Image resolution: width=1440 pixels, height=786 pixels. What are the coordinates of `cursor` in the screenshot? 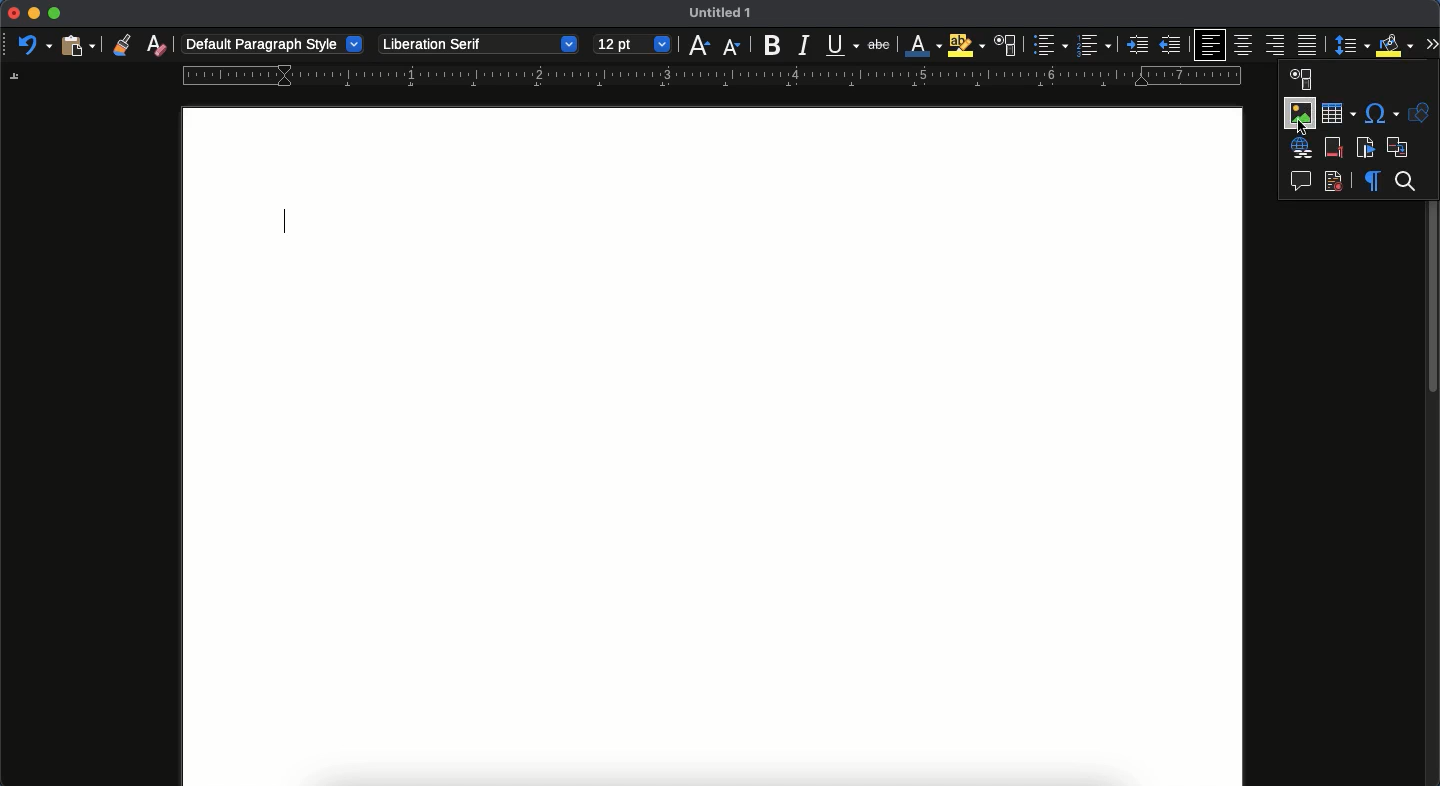 It's located at (1300, 127).